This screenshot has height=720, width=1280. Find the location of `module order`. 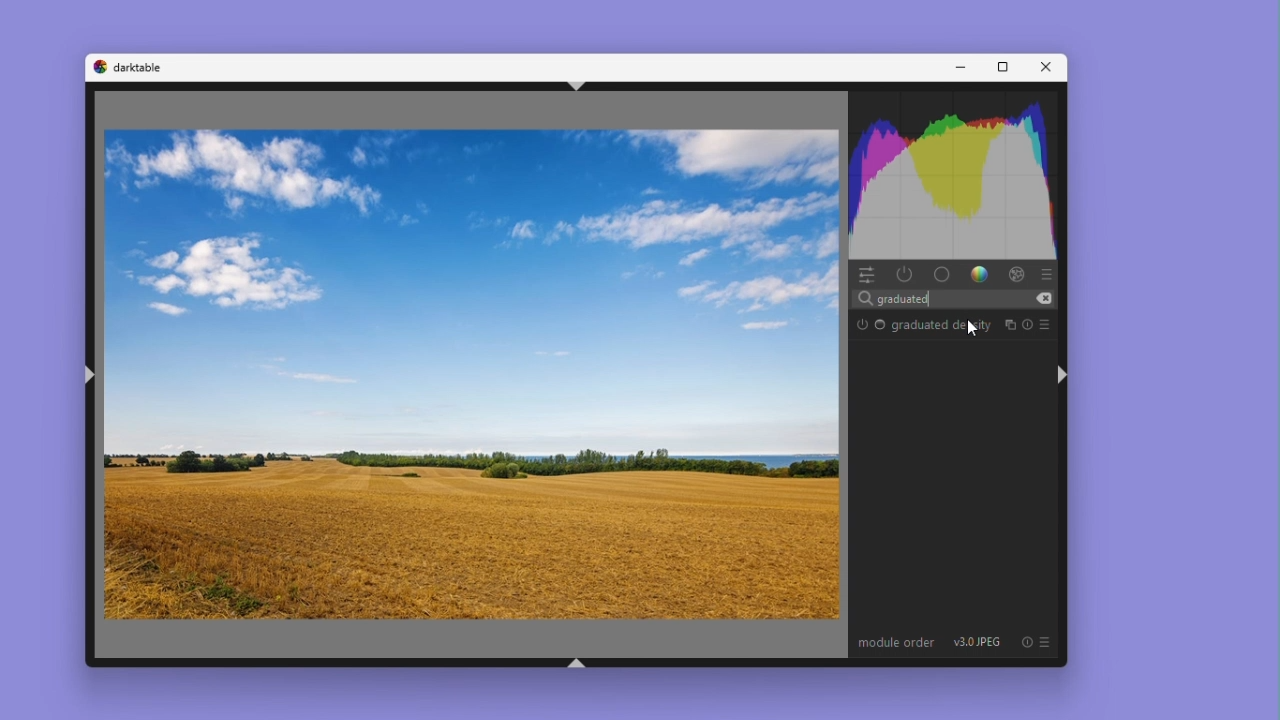

module order is located at coordinates (896, 643).